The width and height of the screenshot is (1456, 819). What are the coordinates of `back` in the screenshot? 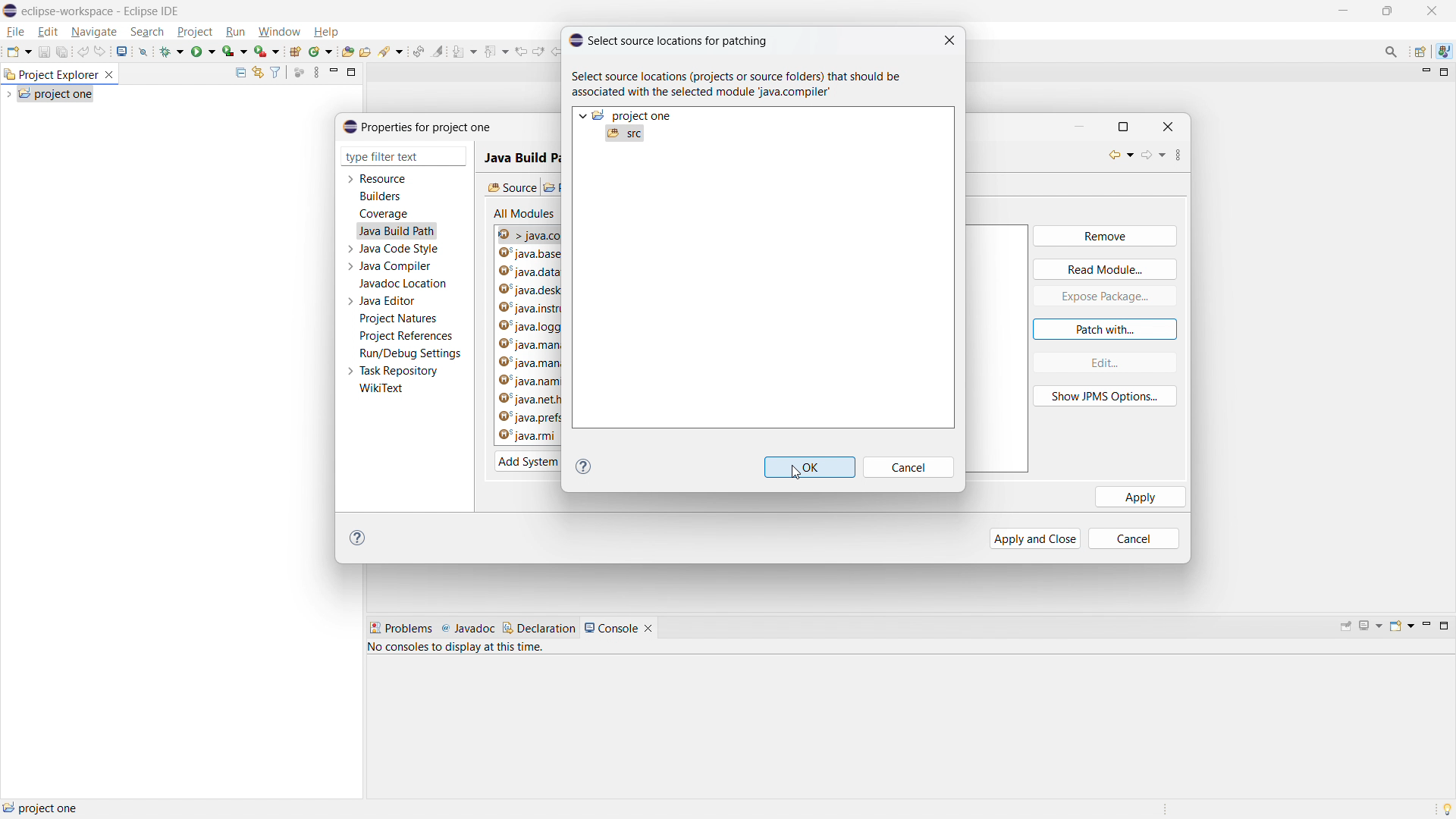 It's located at (1116, 155).